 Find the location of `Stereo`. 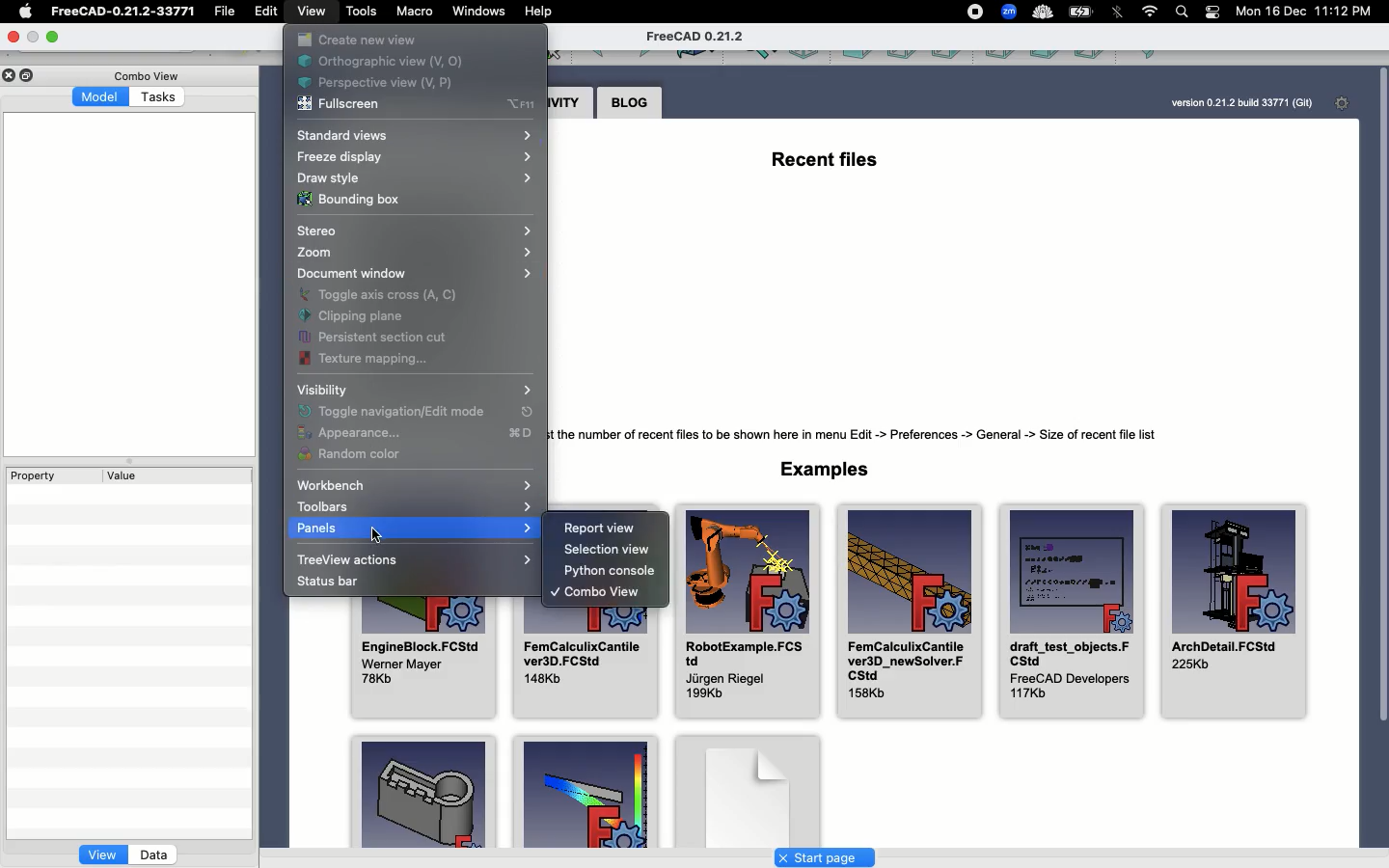

Stereo is located at coordinates (418, 229).